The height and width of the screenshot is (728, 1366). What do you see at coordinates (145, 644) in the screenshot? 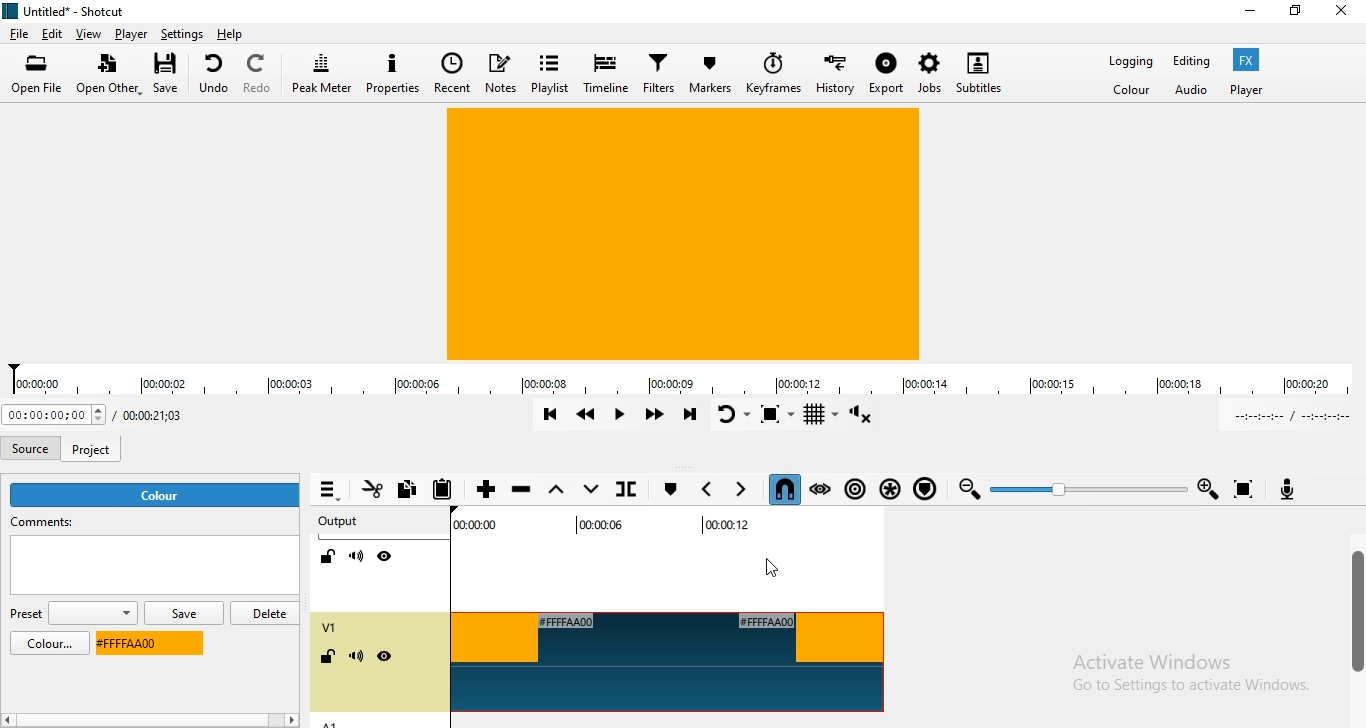
I see `new color code` at bounding box center [145, 644].